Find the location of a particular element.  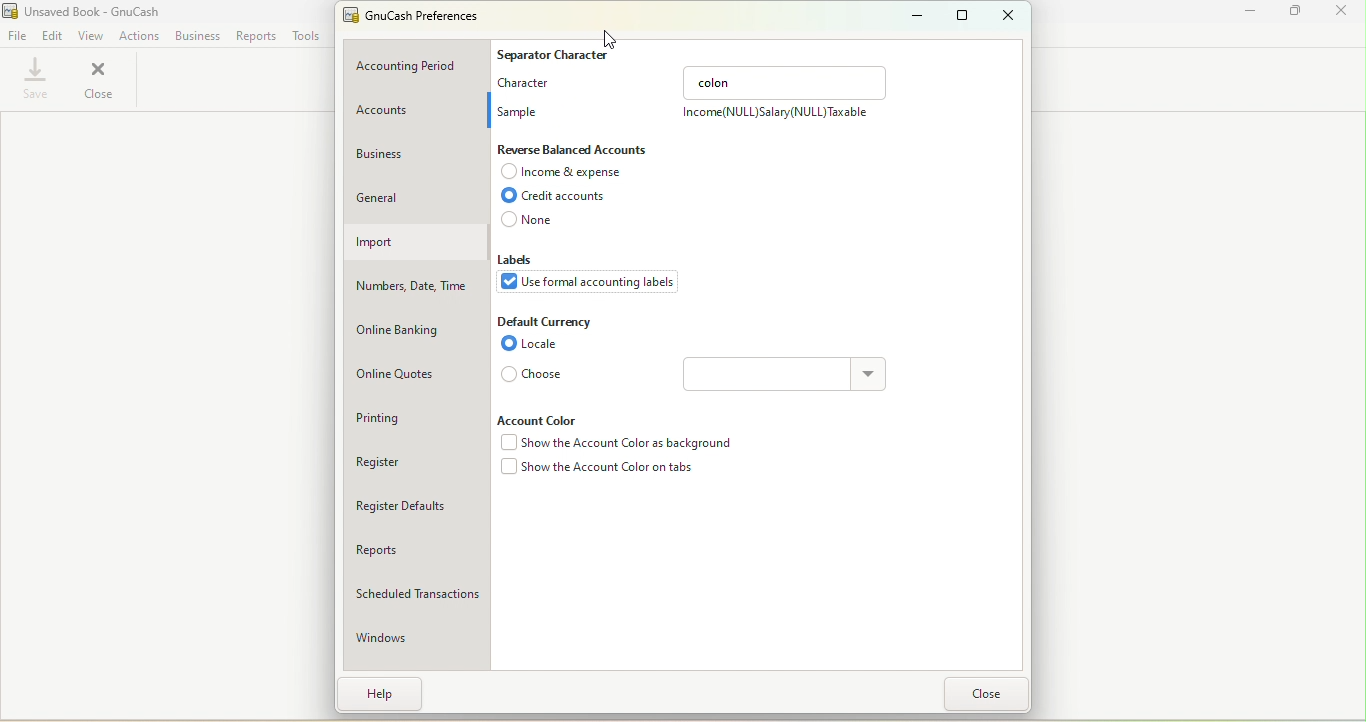

Tools is located at coordinates (307, 36).